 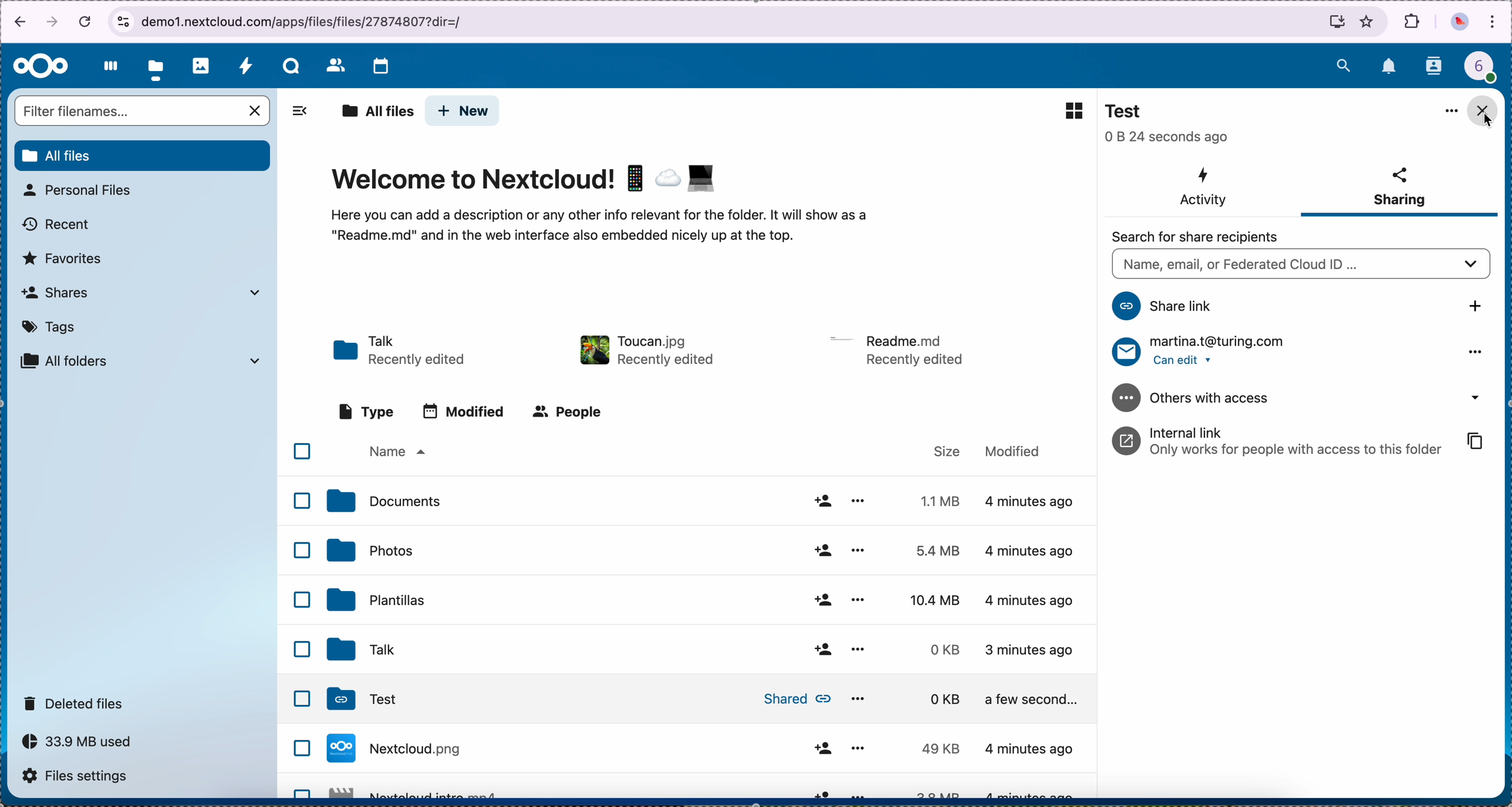 What do you see at coordinates (76, 703) in the screenshot?
I see `deleted files` at bounding box center [76, 703].